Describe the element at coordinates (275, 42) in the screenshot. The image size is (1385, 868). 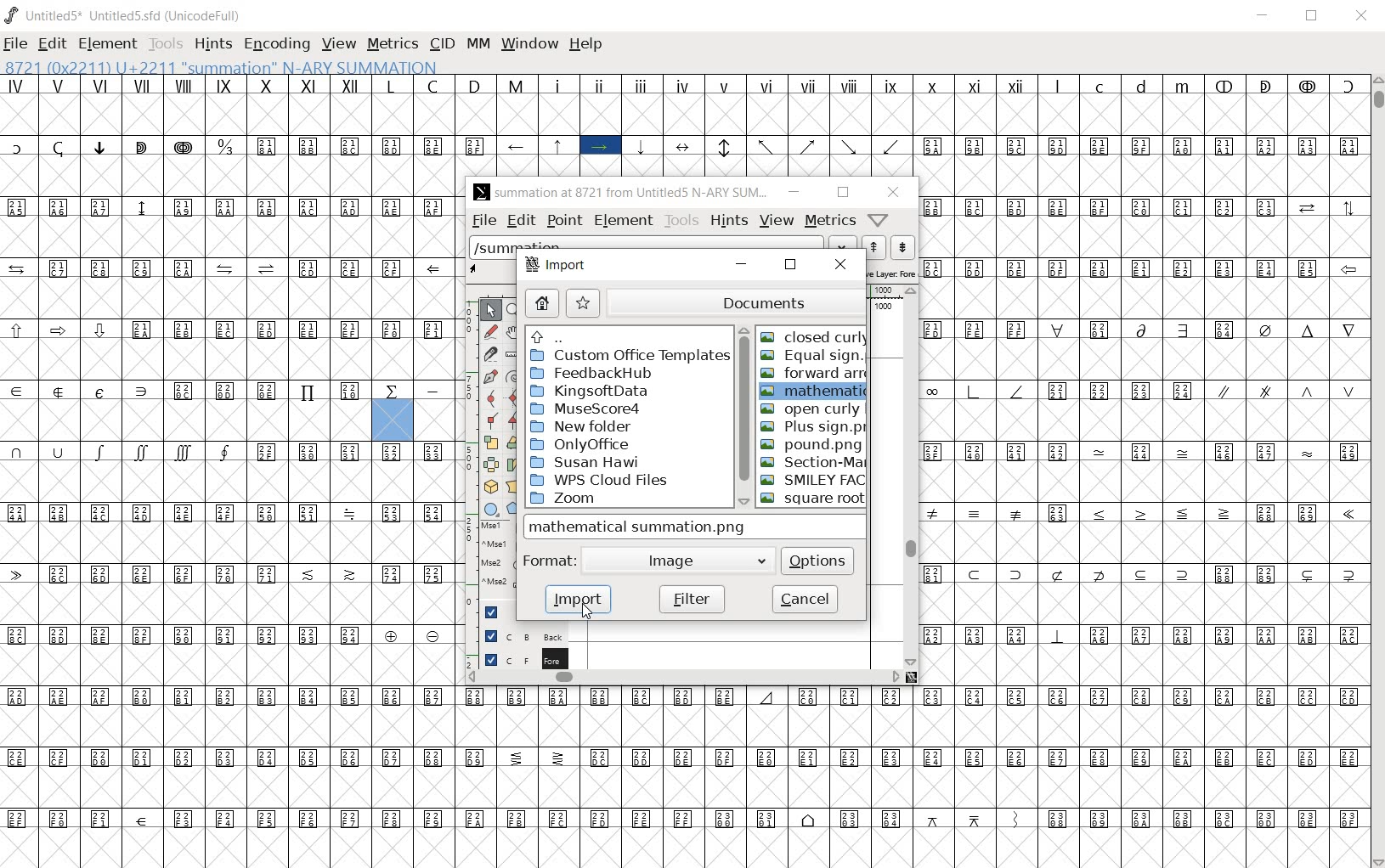
I see `ENCODING` at that location.